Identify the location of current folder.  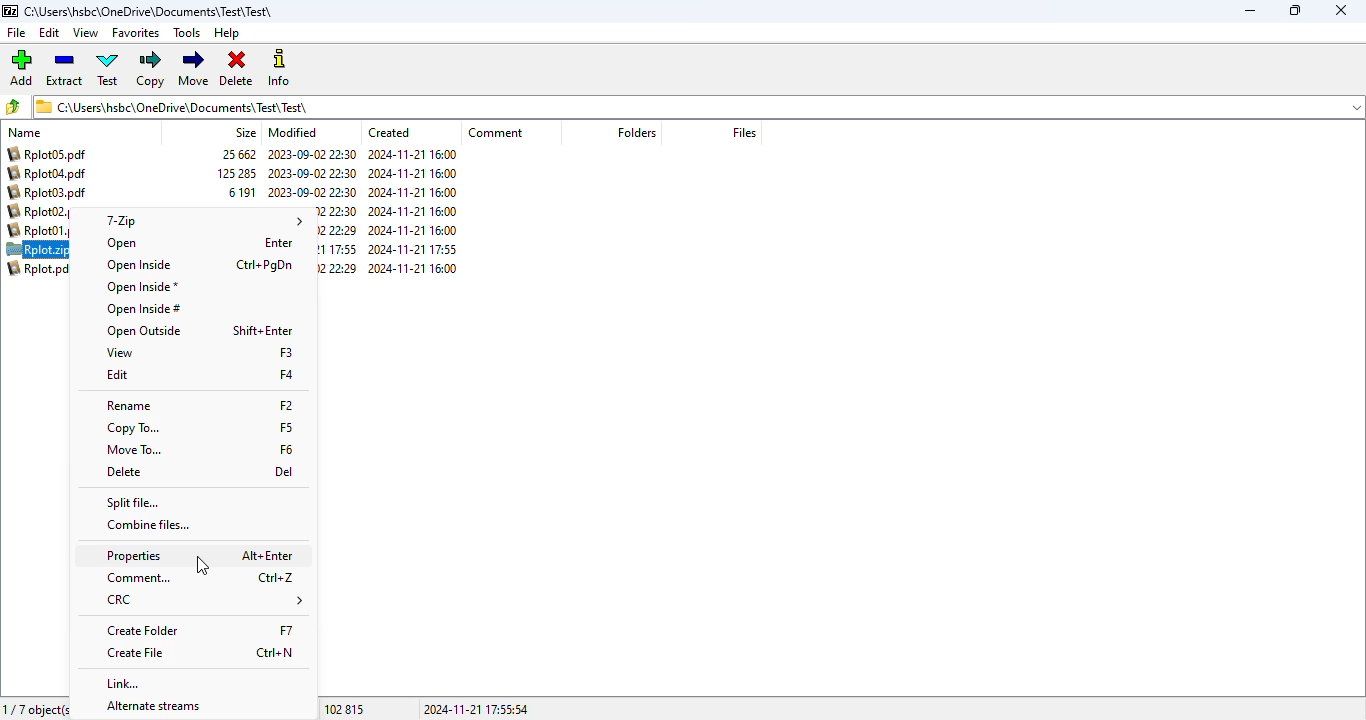
(149, 11).